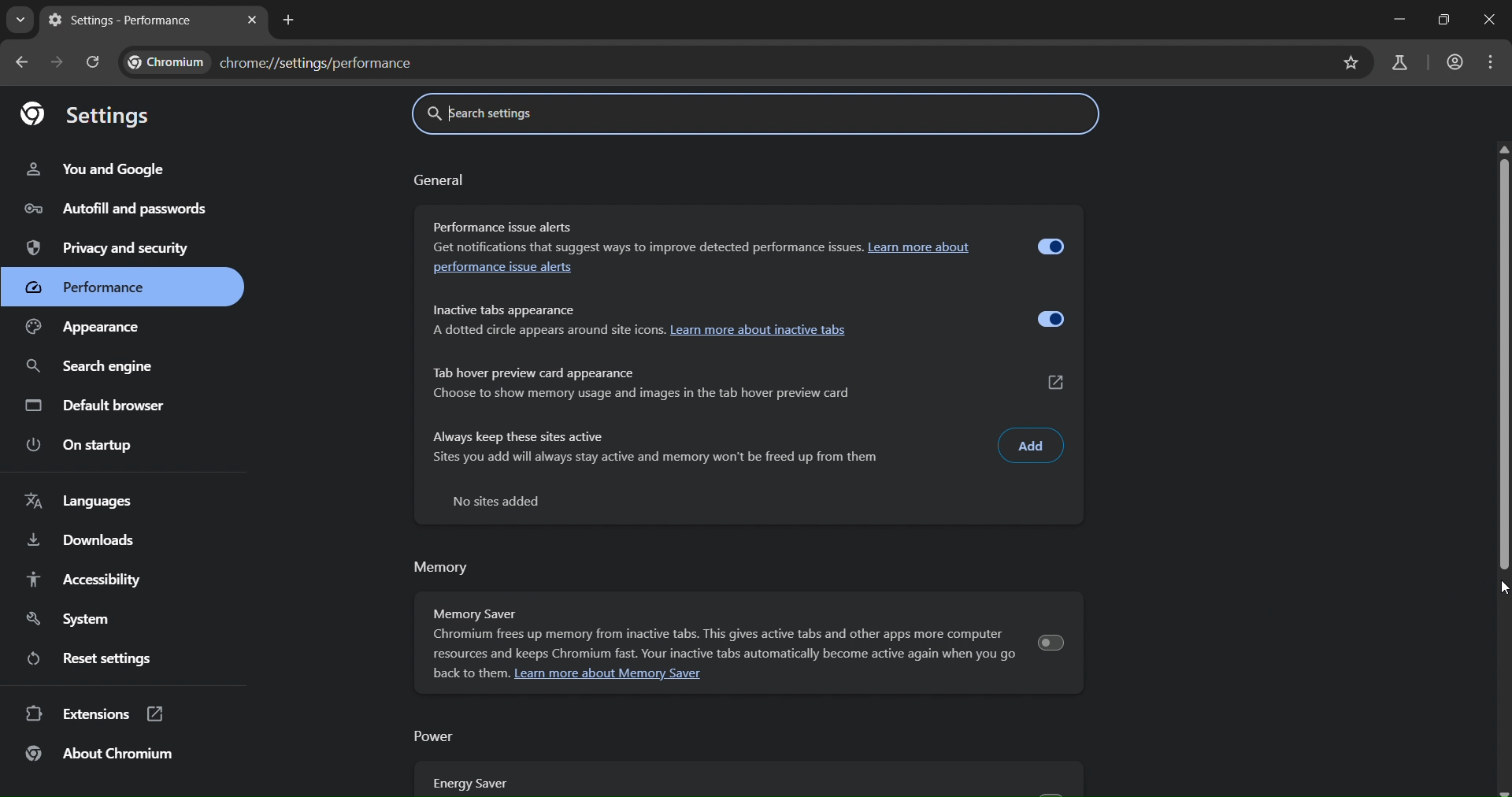 This screenshot has height=797, width=1512. What do you see at coordinates (922, 247) in the screenshot?
I see `Learn more about` at bounding box center [922, 247].